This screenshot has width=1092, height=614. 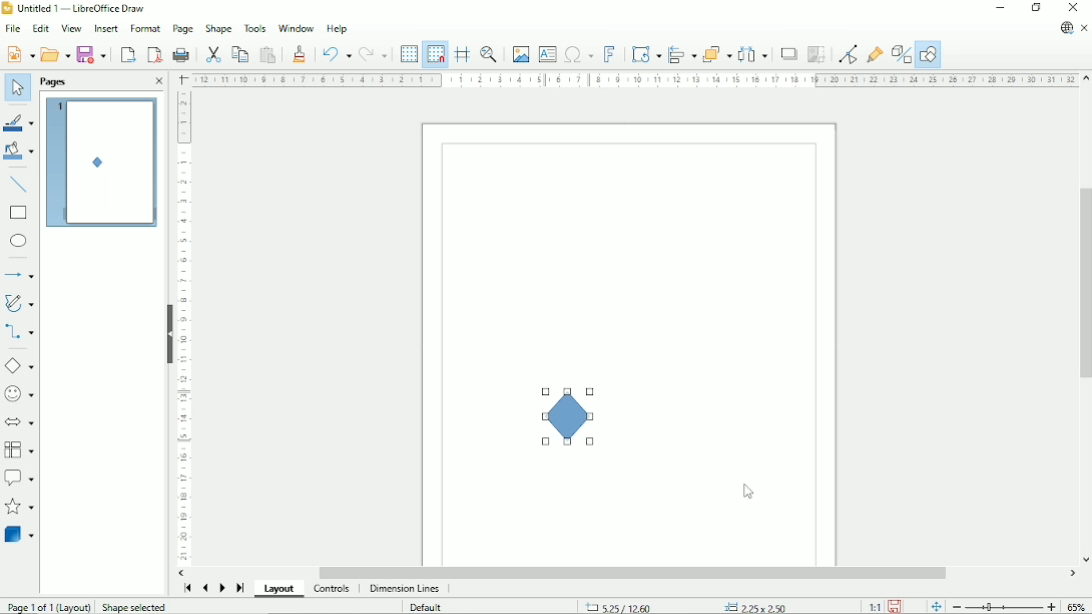 I want to click on Preview, so click(x=103, y=163).